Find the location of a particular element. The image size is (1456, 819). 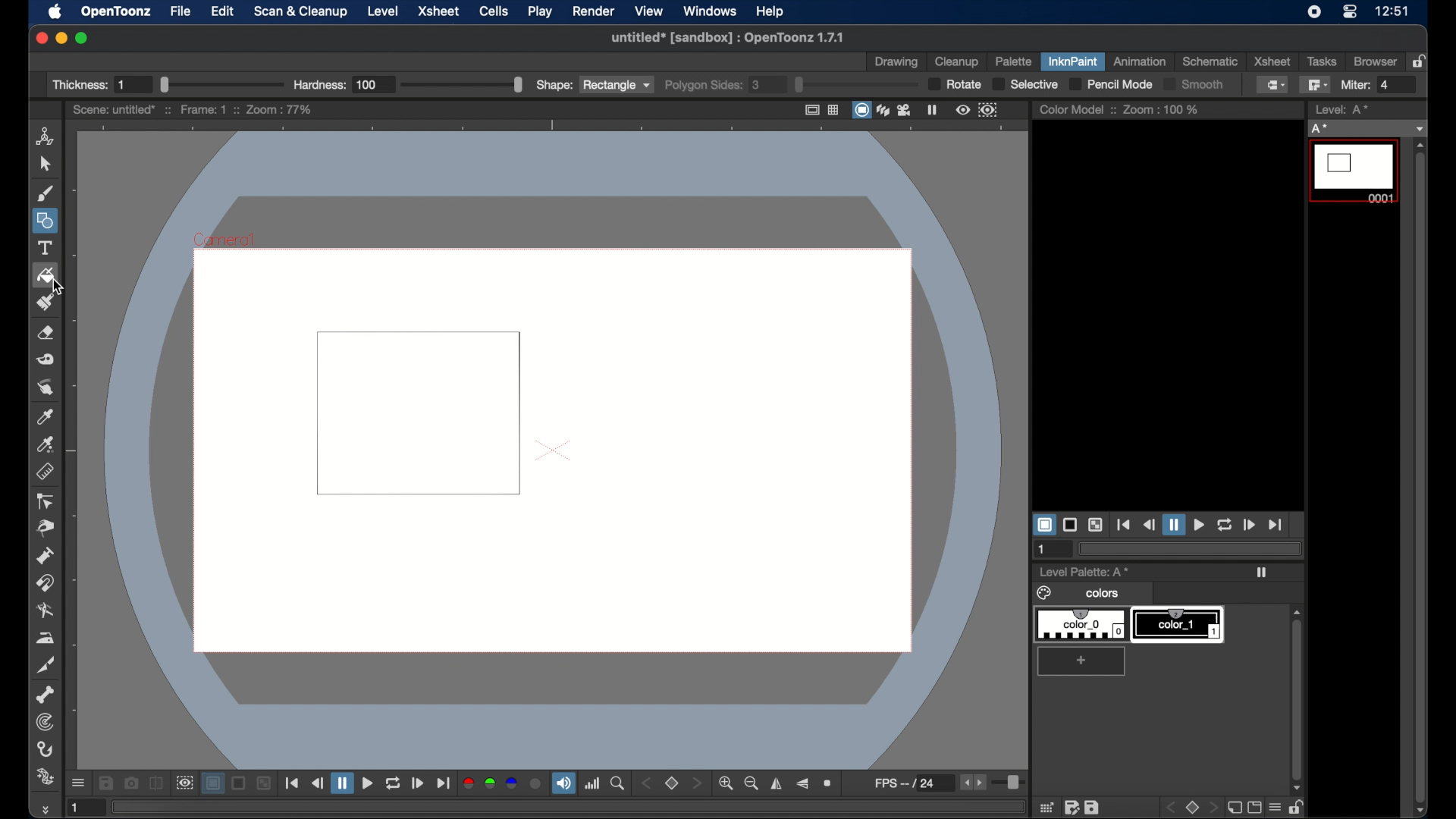

stop is located at coordinates (1194, 807).